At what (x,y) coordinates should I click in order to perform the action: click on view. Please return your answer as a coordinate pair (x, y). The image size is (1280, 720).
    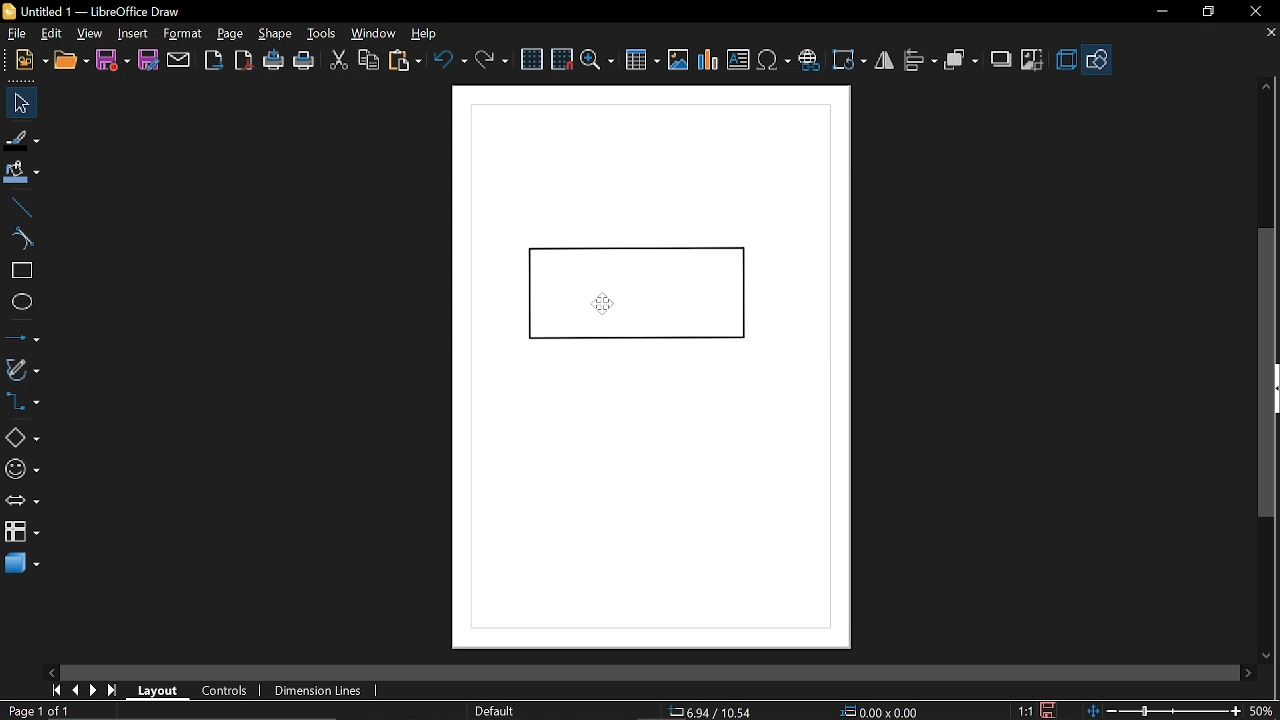
    Looking at the image, I should click on (91, 35).